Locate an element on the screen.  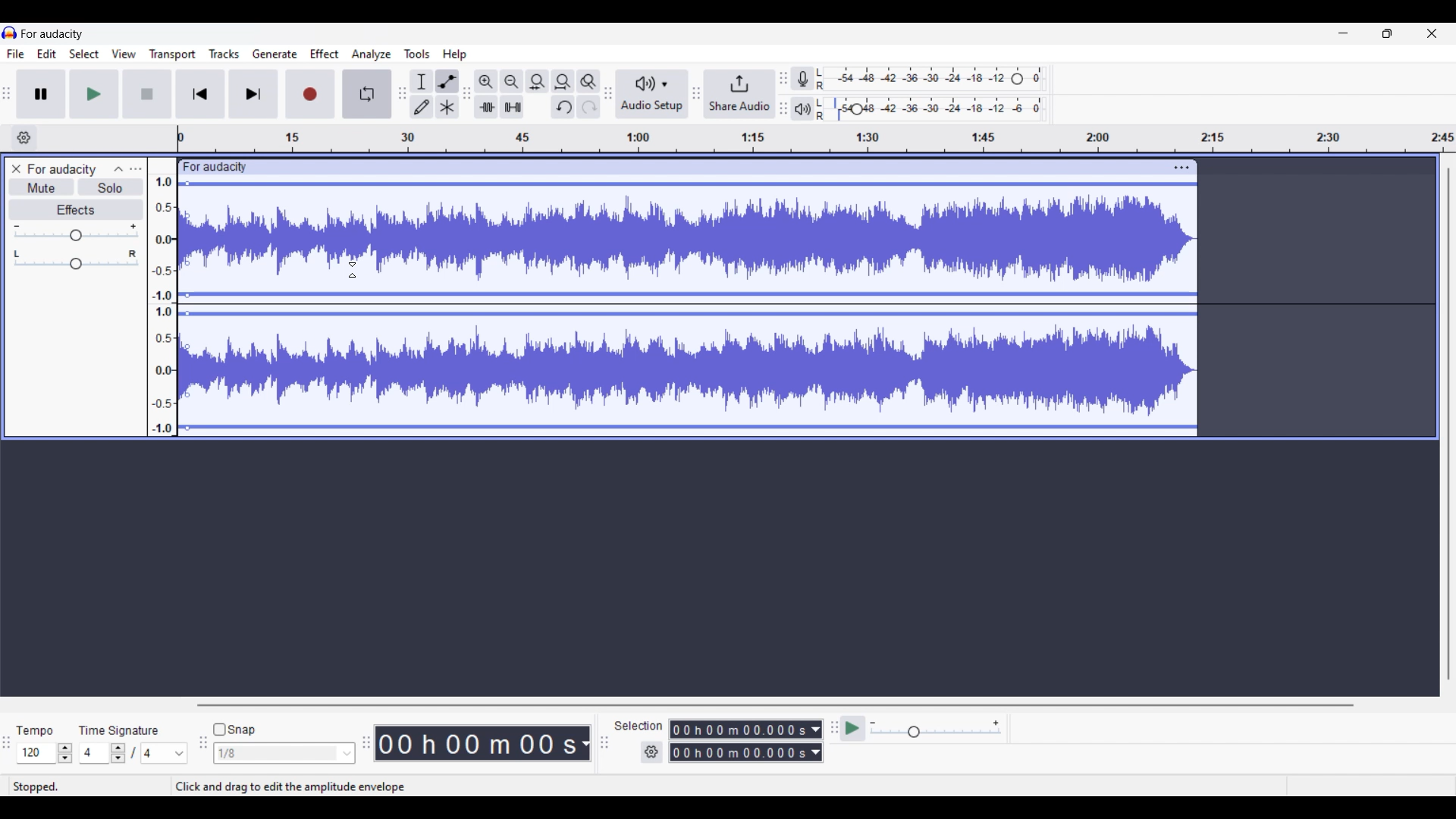
Redo is located at coordinates (589, 106).